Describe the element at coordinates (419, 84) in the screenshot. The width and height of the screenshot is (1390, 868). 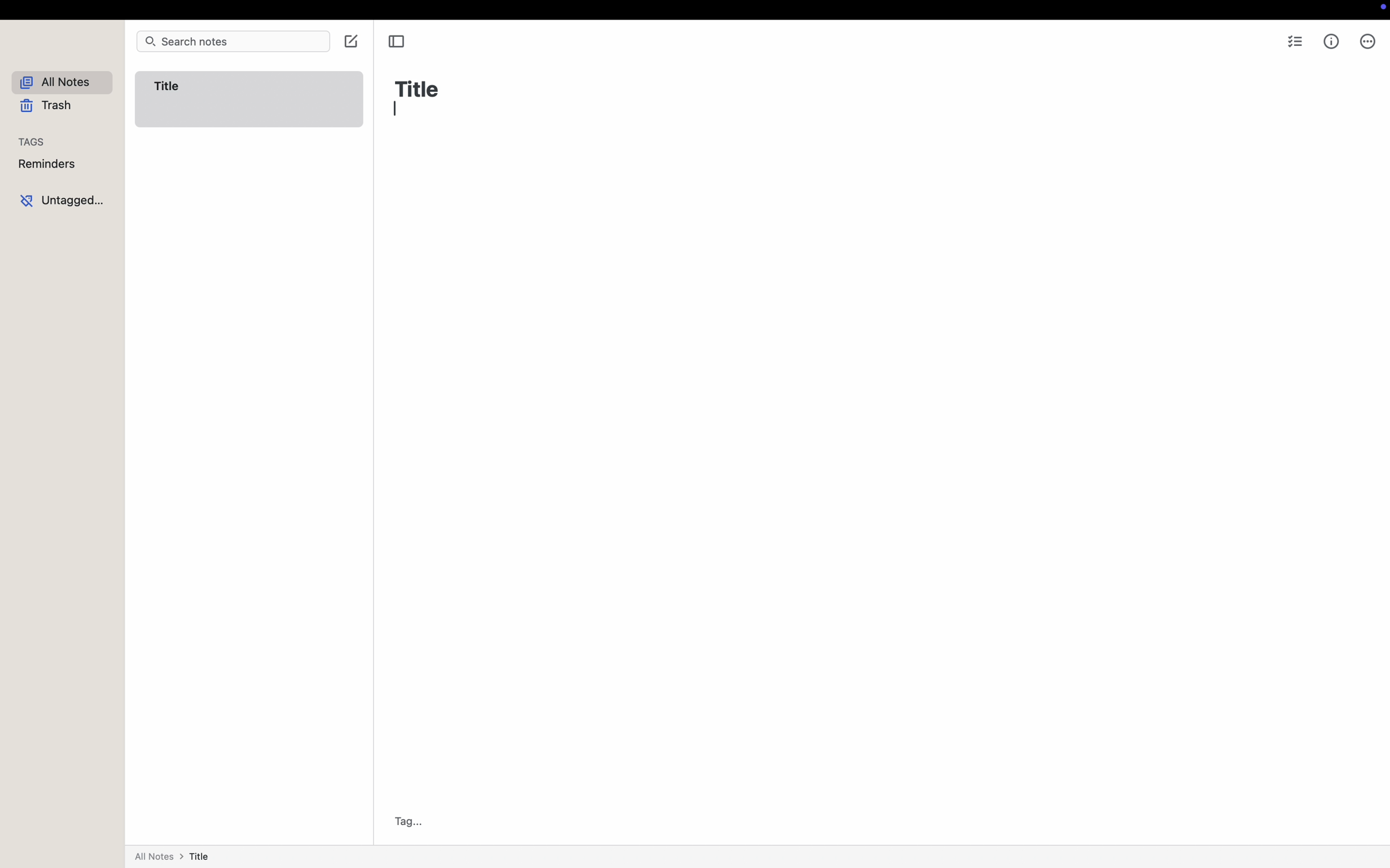
I see `Title` at that location.